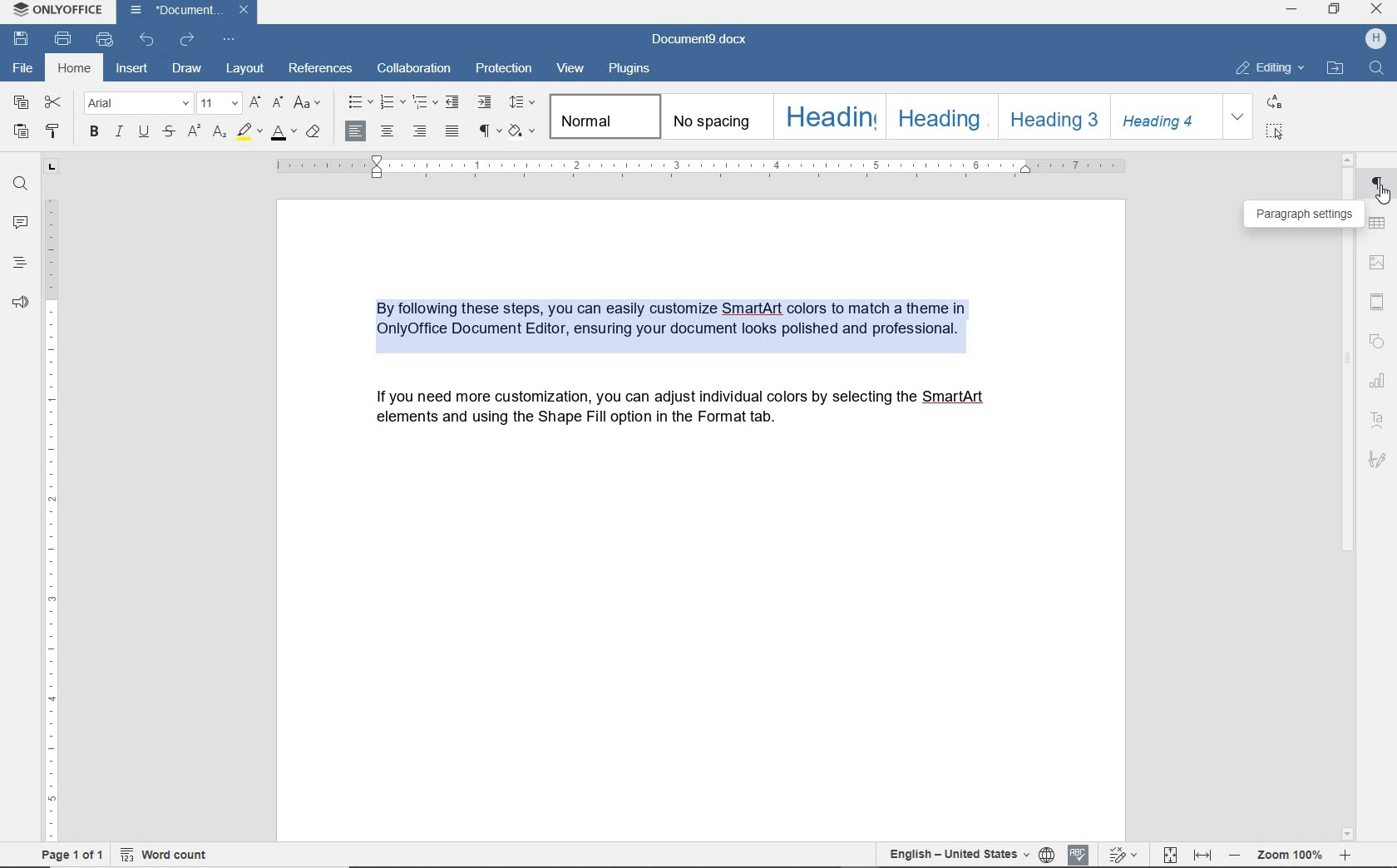 This screenshot has height=868, width=1397. What do you see at coordinates (449, 133) in the screenshot?
I see `justified` at bounding box center [449, 133].